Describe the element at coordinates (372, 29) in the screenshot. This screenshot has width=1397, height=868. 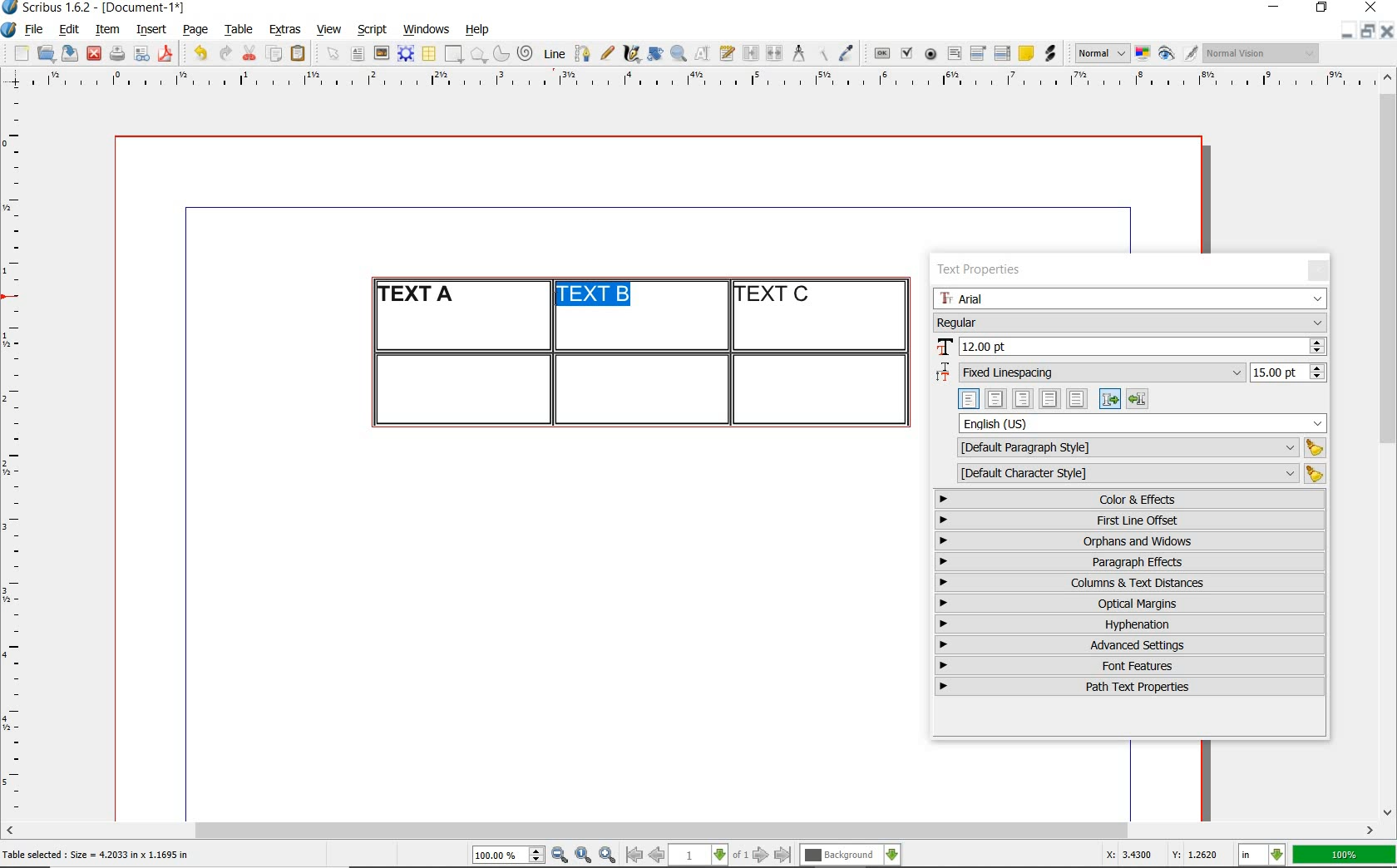
I see `script` at that location.